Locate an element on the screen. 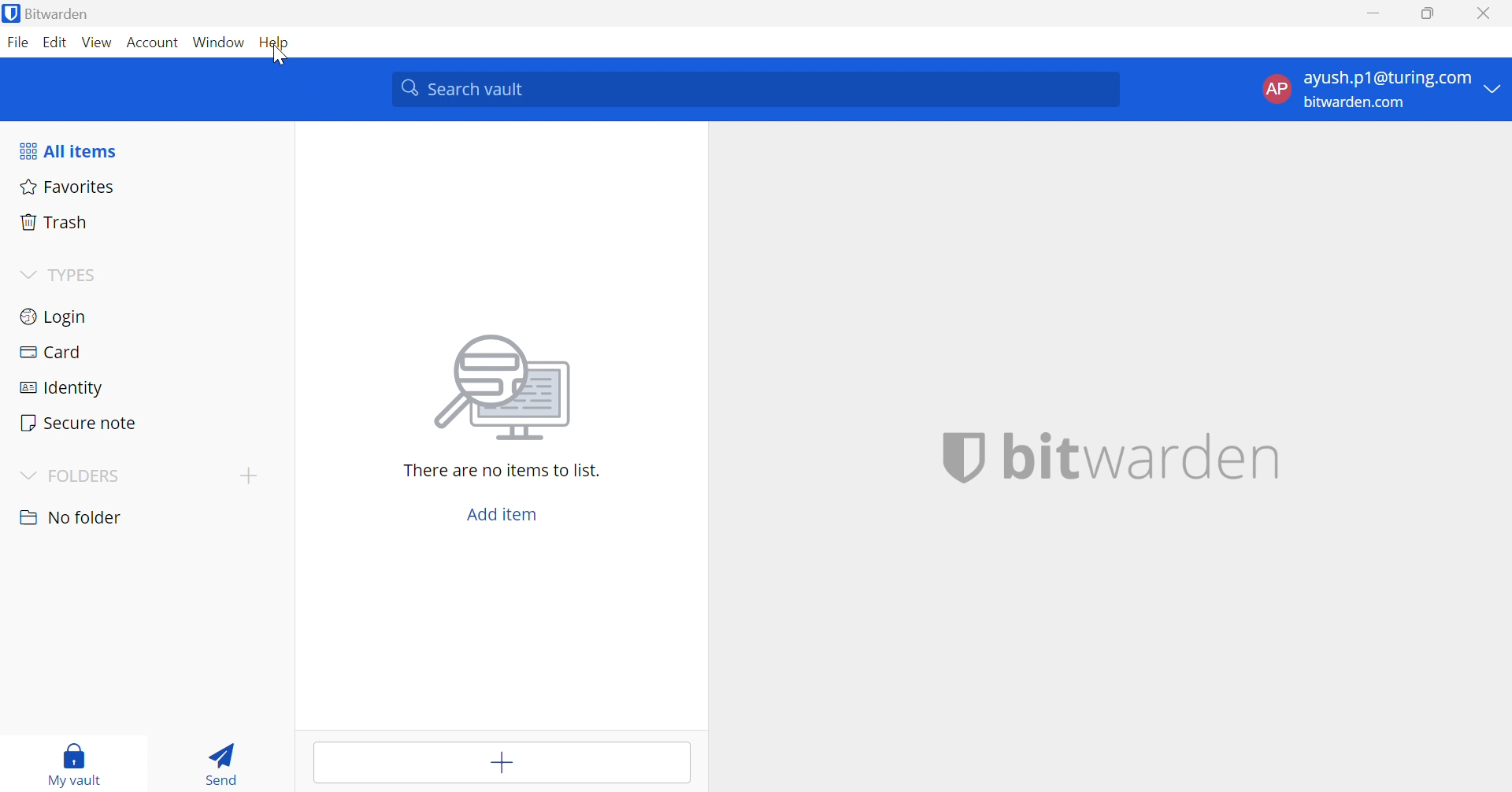 Image resolution: width=1512 pixels, height=792 pixels. Hello is located at coordinates (277, 41).